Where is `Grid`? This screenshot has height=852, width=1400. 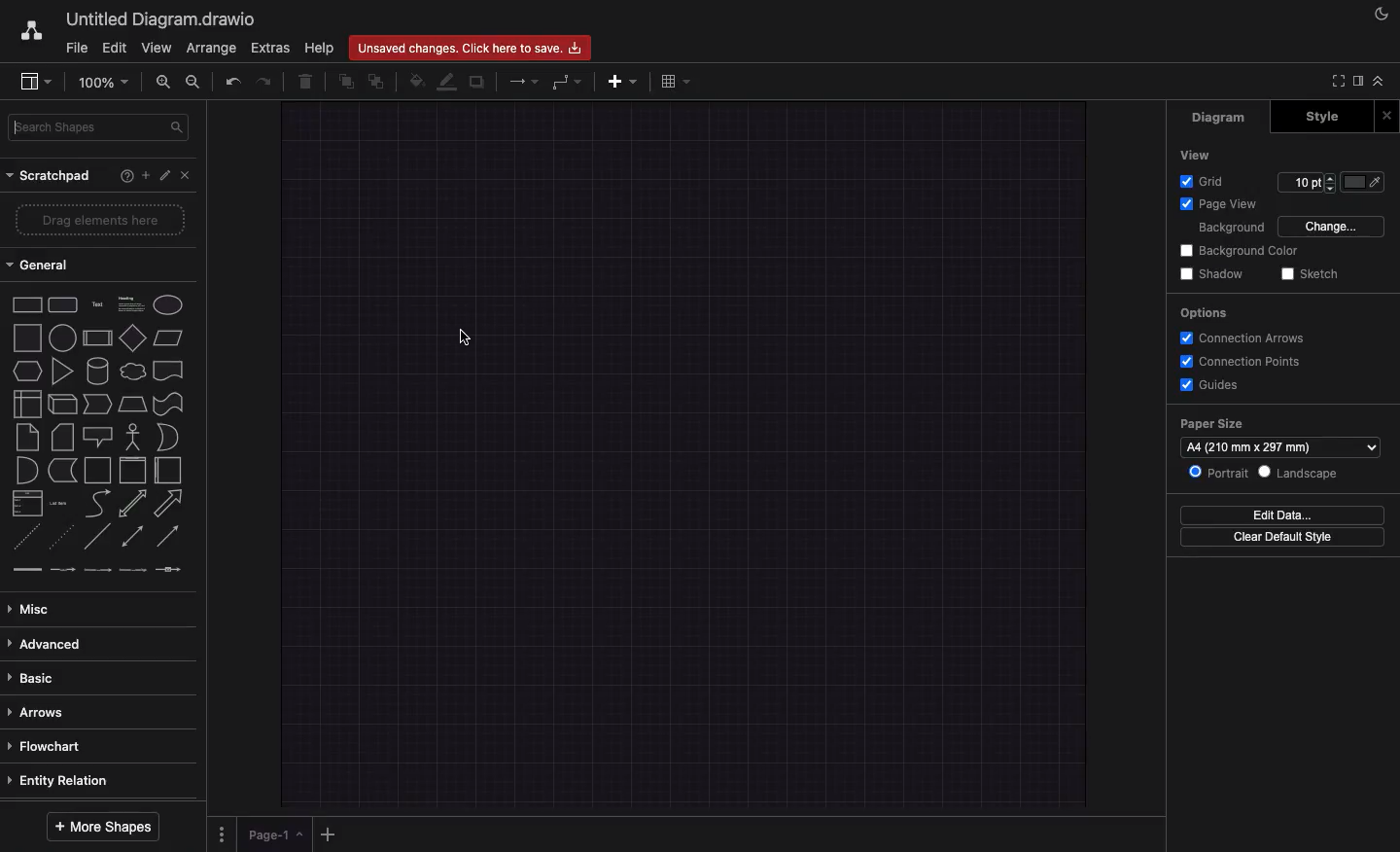
Grid is located at coordinates (1207, 180).